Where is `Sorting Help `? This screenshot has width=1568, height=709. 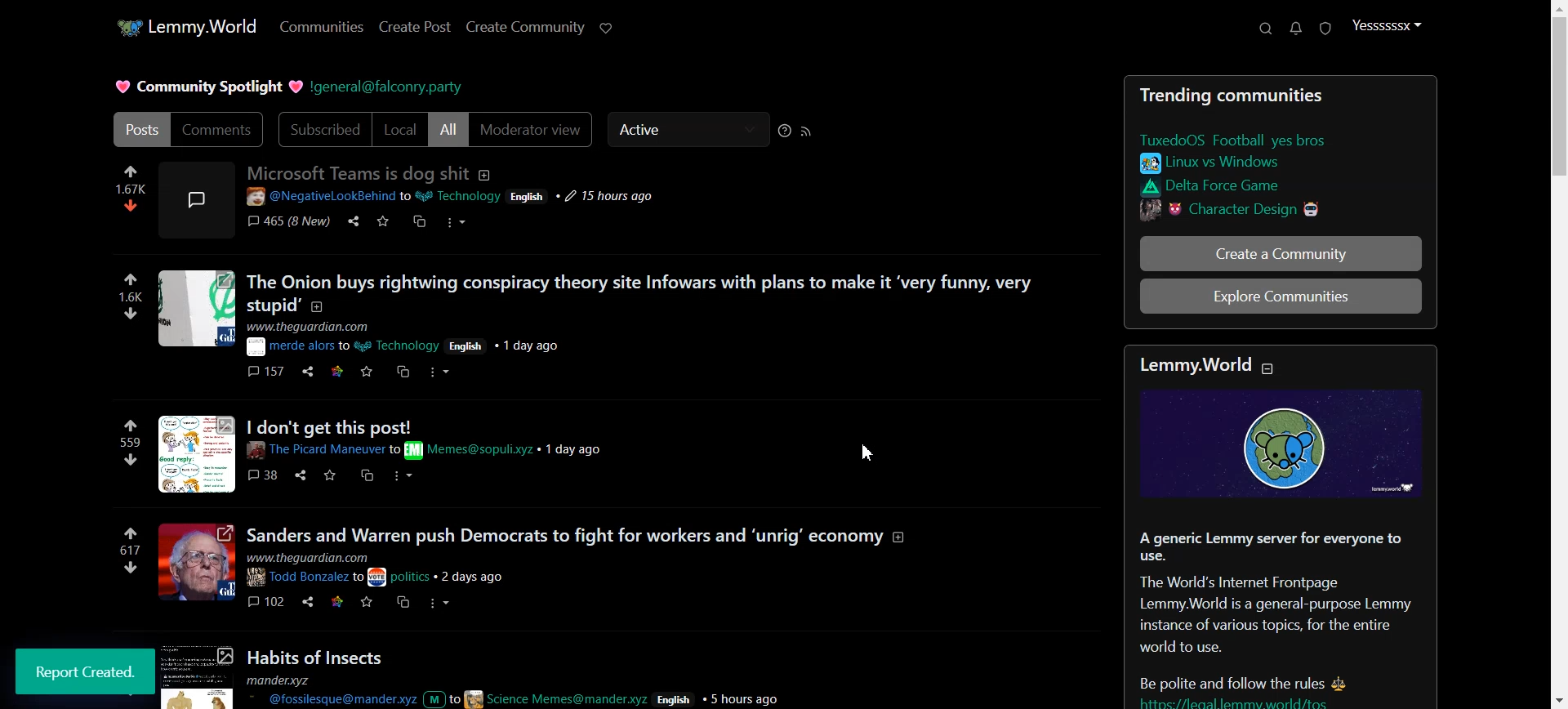 Sorting Help  is located at coordinates (784, 130).